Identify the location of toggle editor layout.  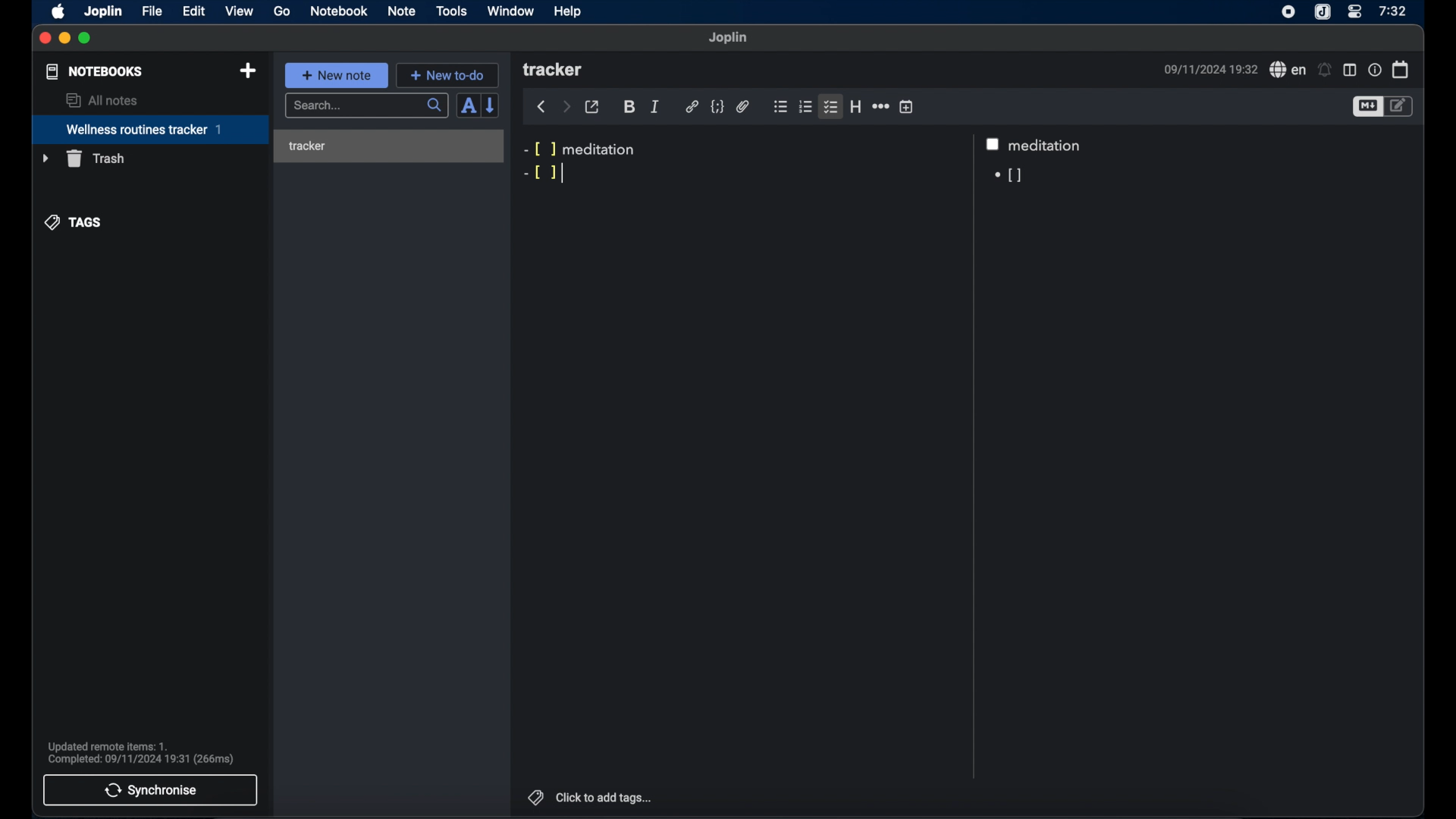
(1349, 70).